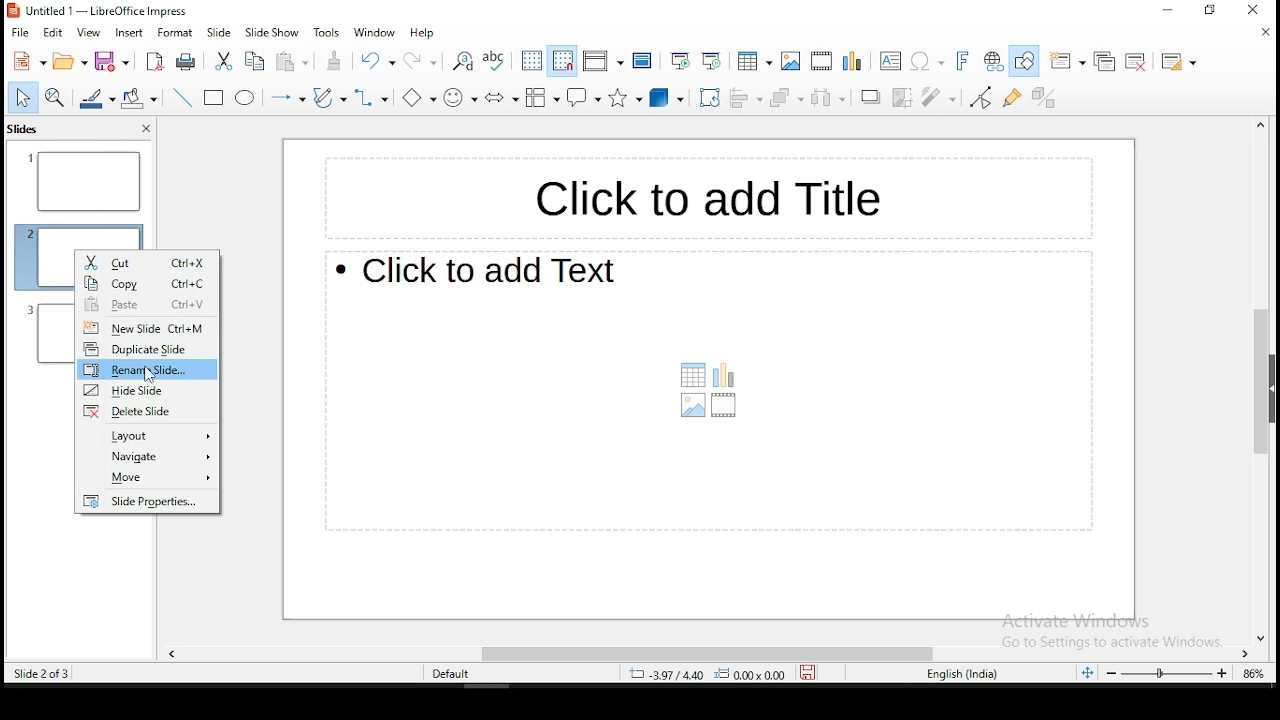  I want to click on slide show, so click(272, 34).